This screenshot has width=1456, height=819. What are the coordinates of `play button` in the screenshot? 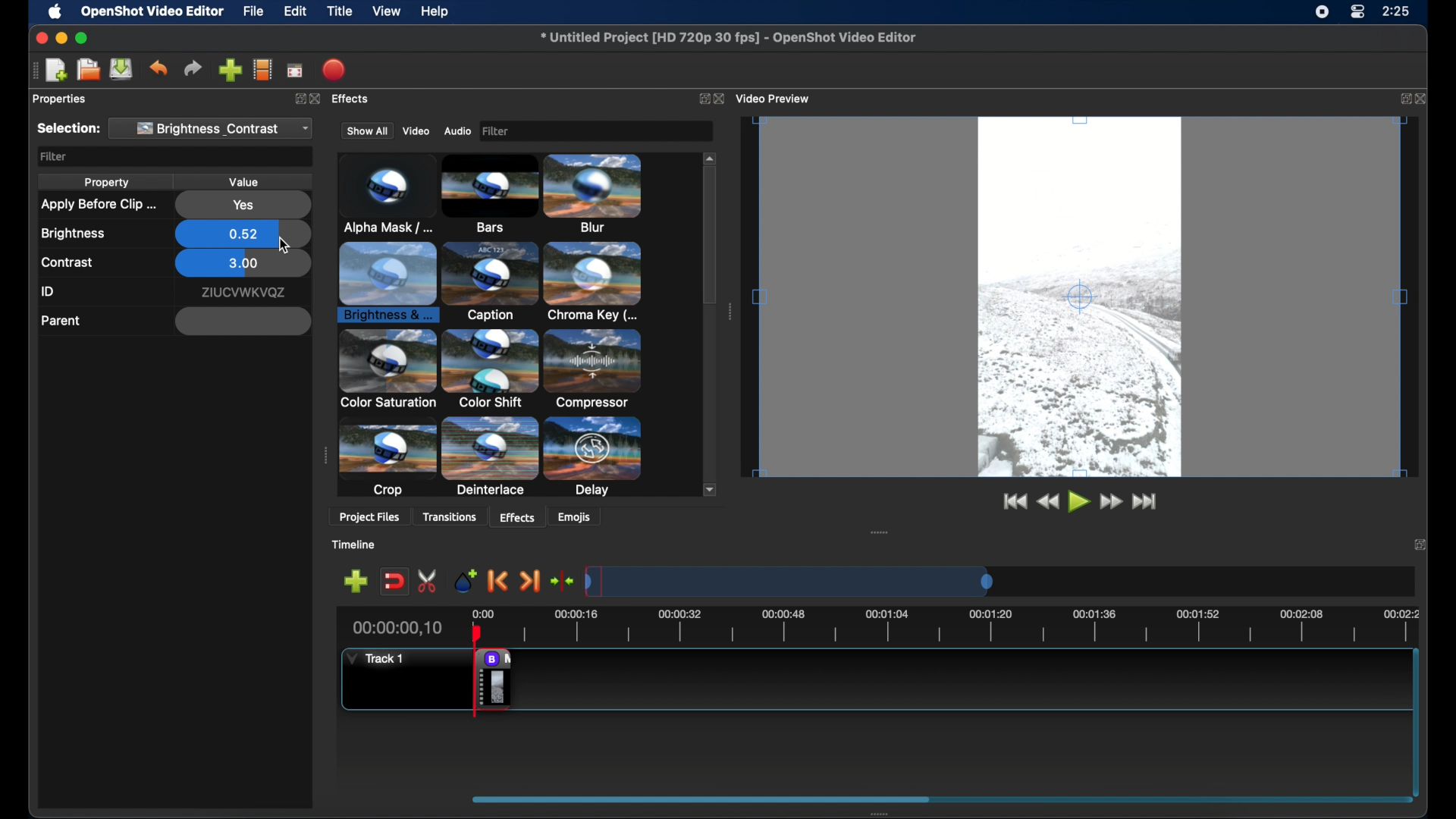 It's located at (1078, 503).